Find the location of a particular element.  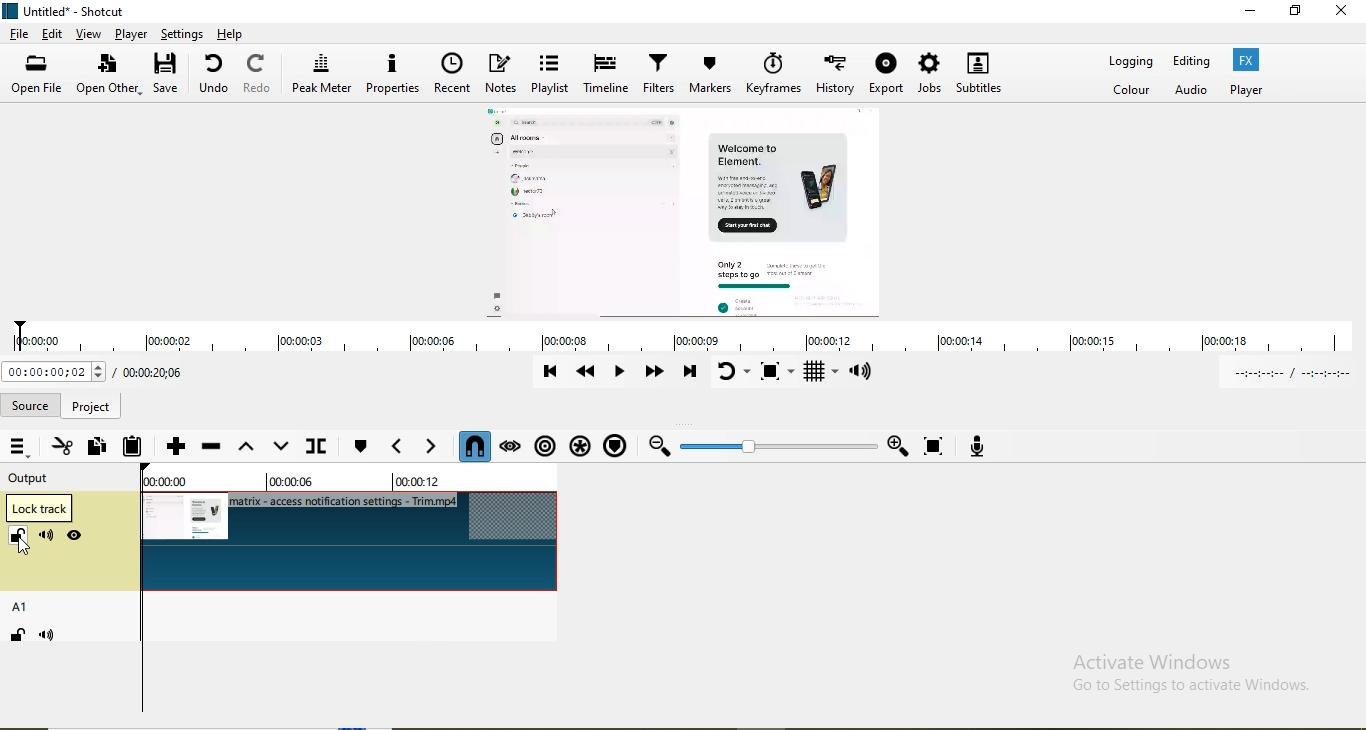

 is located at coordinates (979, 75).